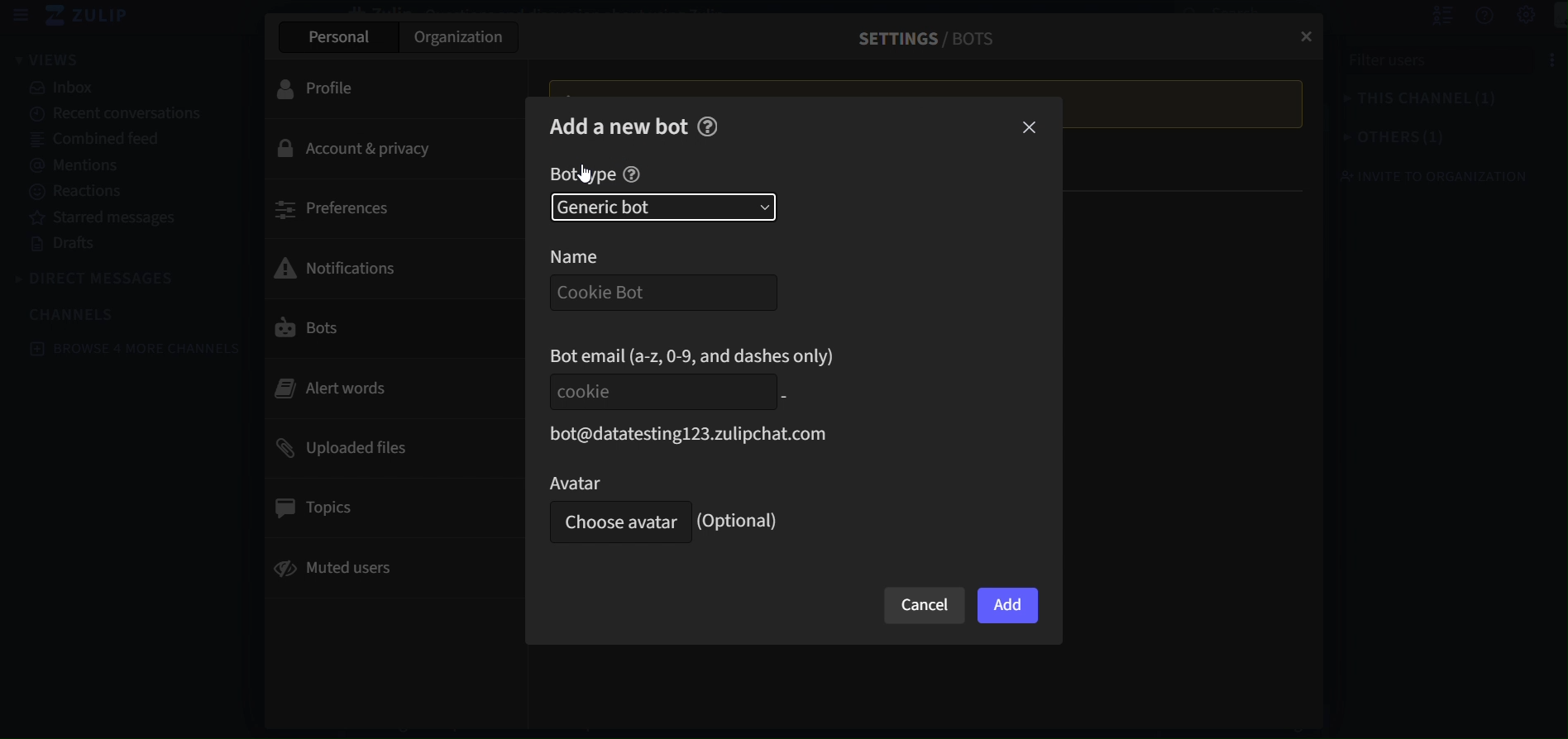 Image resolution: width=1568 pixels, height=739 pixels. Describe the element at coordinates (122, 141) in the screenshot. I see `combined feed` at that location.